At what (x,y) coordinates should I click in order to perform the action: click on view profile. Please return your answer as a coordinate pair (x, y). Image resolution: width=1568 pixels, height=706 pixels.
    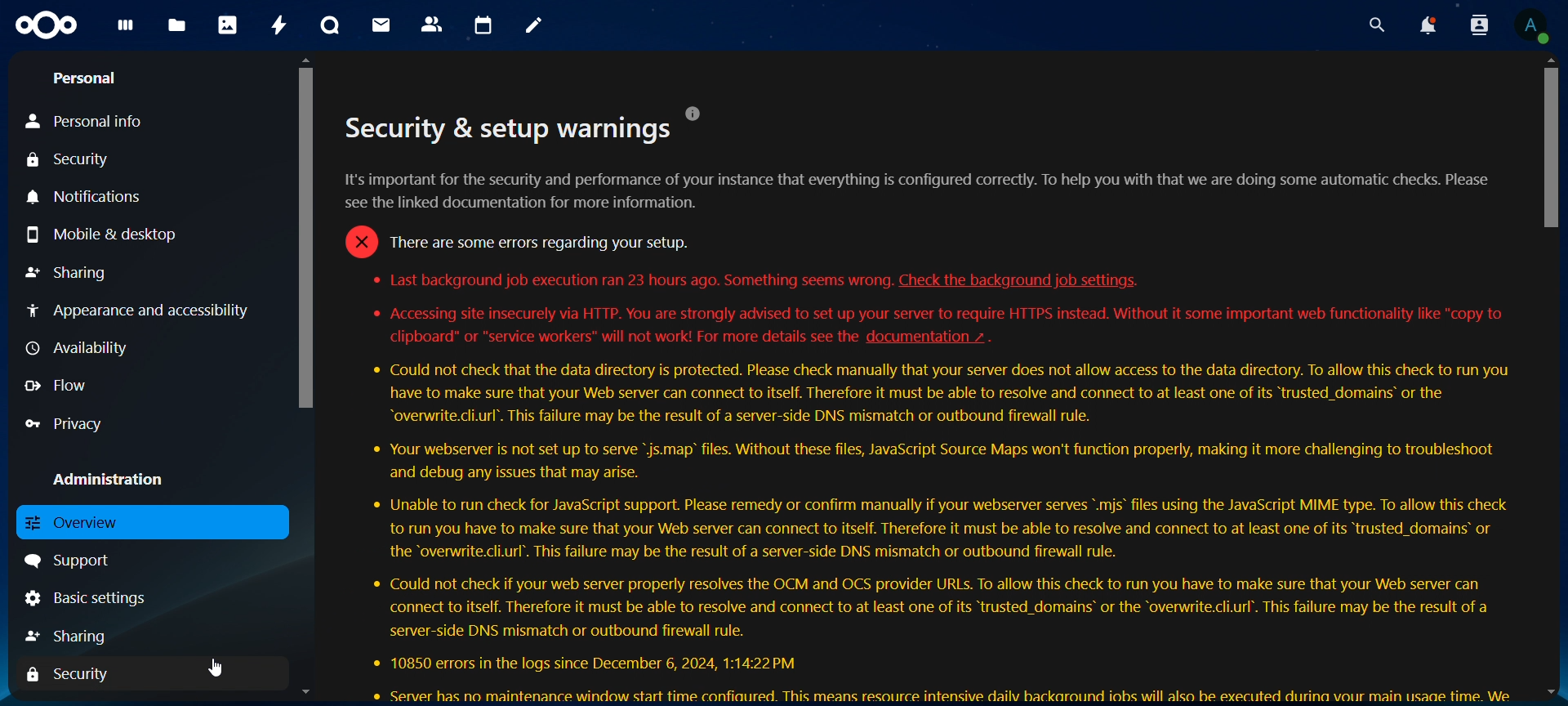
    Looking at the image, I should click on (1535, 25).